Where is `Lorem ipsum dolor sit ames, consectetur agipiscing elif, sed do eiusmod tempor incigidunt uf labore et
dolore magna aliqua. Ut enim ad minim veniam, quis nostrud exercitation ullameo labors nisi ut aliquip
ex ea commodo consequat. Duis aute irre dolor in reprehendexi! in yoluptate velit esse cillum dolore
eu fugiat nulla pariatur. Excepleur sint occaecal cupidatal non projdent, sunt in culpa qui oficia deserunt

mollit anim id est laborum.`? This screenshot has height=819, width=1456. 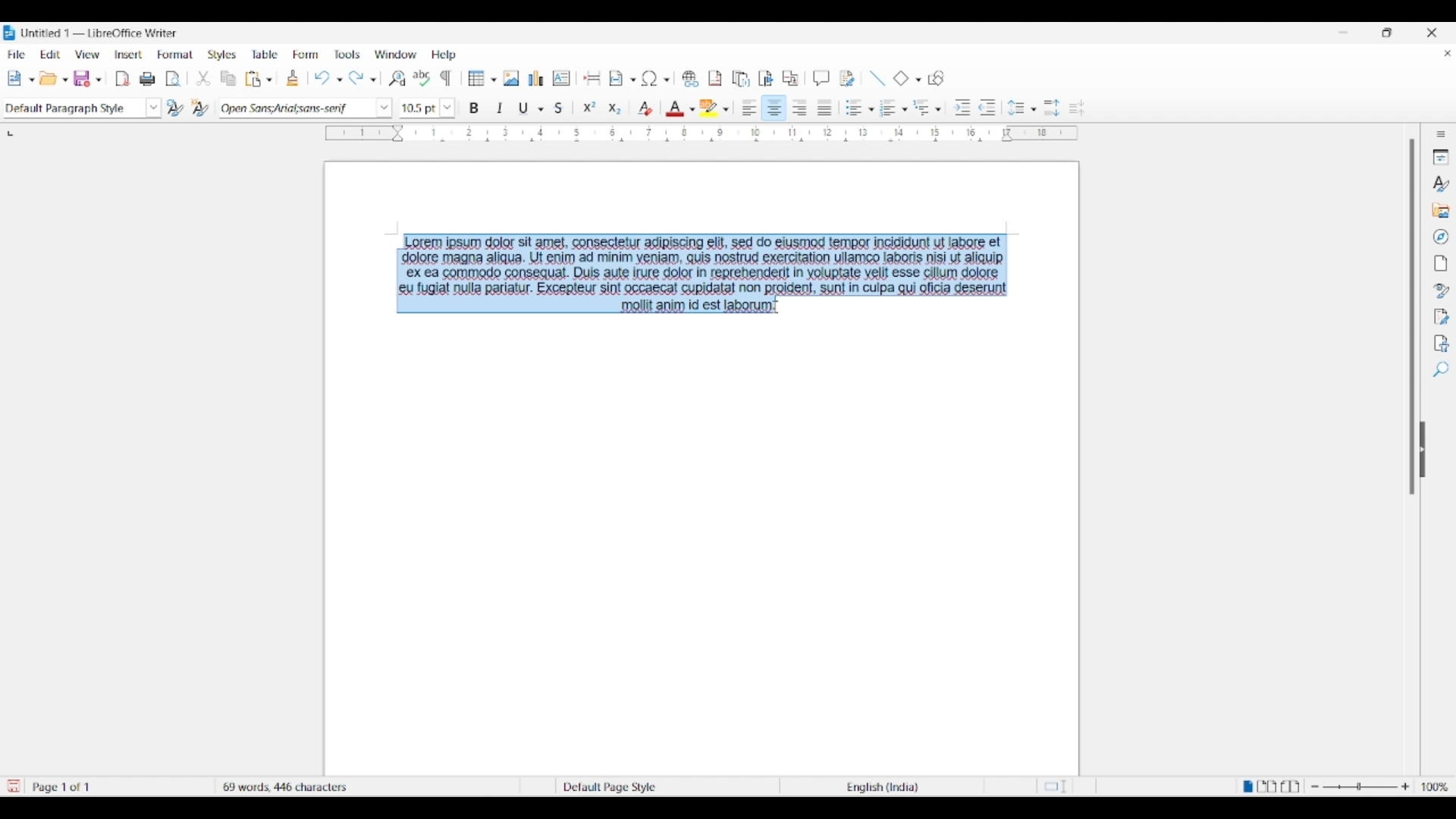 Lorem ipsum dolor sit ames, consectetur agipiscing elif, sed do eiusmod tempor incigidunt uf labore et
dolore magna aliqua. Ut enim ad minim veniam, quis nostrud exercitation ullameo labors nisi ut aliquip
ex ea commodo consequat. Duis aute irre dolor in reprehendexi! in yoluptate velit esse cillum dolore
eu fugiat nulla pariatur. Excepleur sint occaecal cupidatal non projdent, sunt in culpa qui oficia deserunt

mollit anim id est laborum. is located at coordinates (711, 275).